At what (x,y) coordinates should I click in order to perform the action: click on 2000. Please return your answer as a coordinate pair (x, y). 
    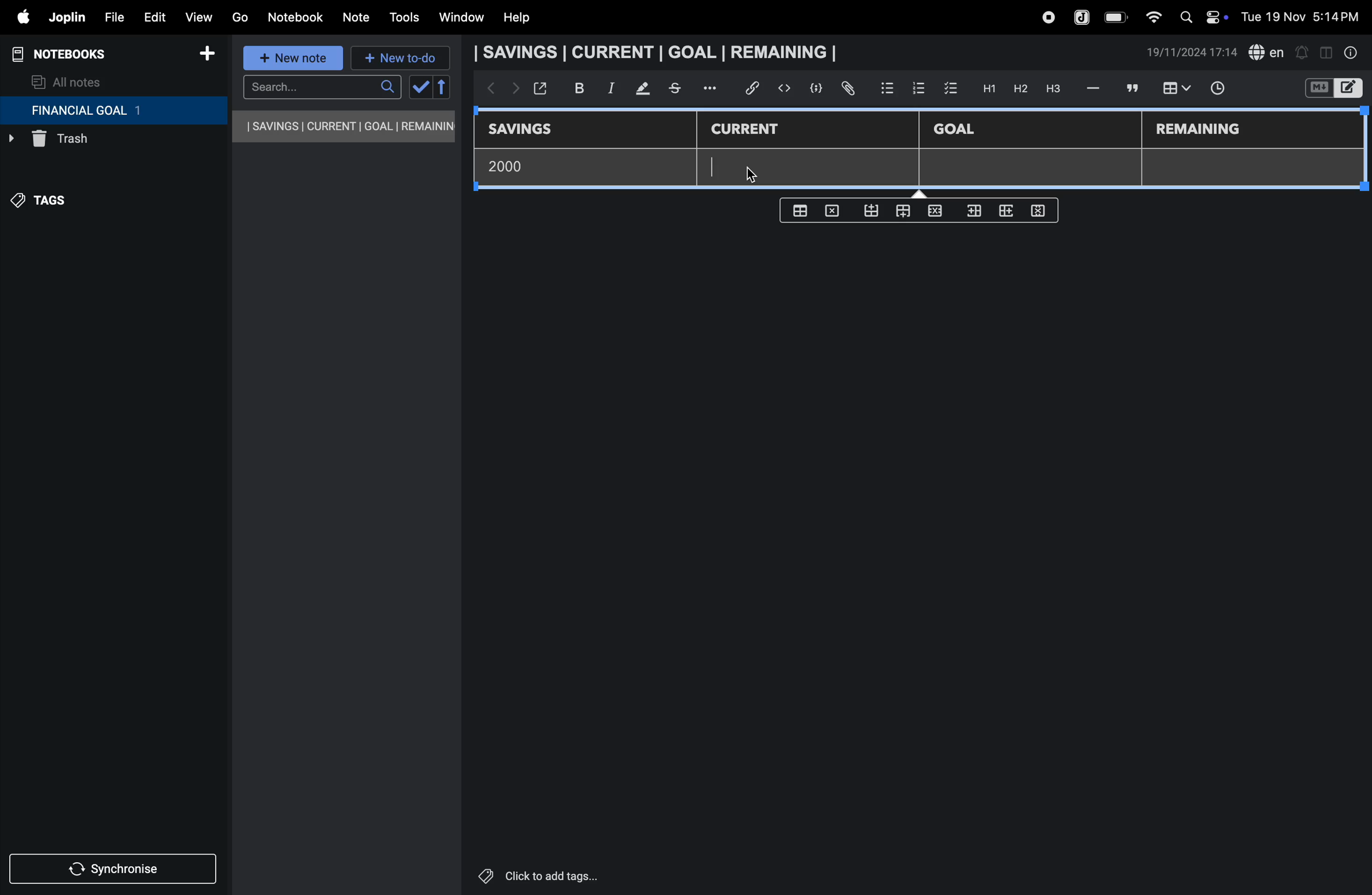
    Looking at the image, I should click on (514, 166).